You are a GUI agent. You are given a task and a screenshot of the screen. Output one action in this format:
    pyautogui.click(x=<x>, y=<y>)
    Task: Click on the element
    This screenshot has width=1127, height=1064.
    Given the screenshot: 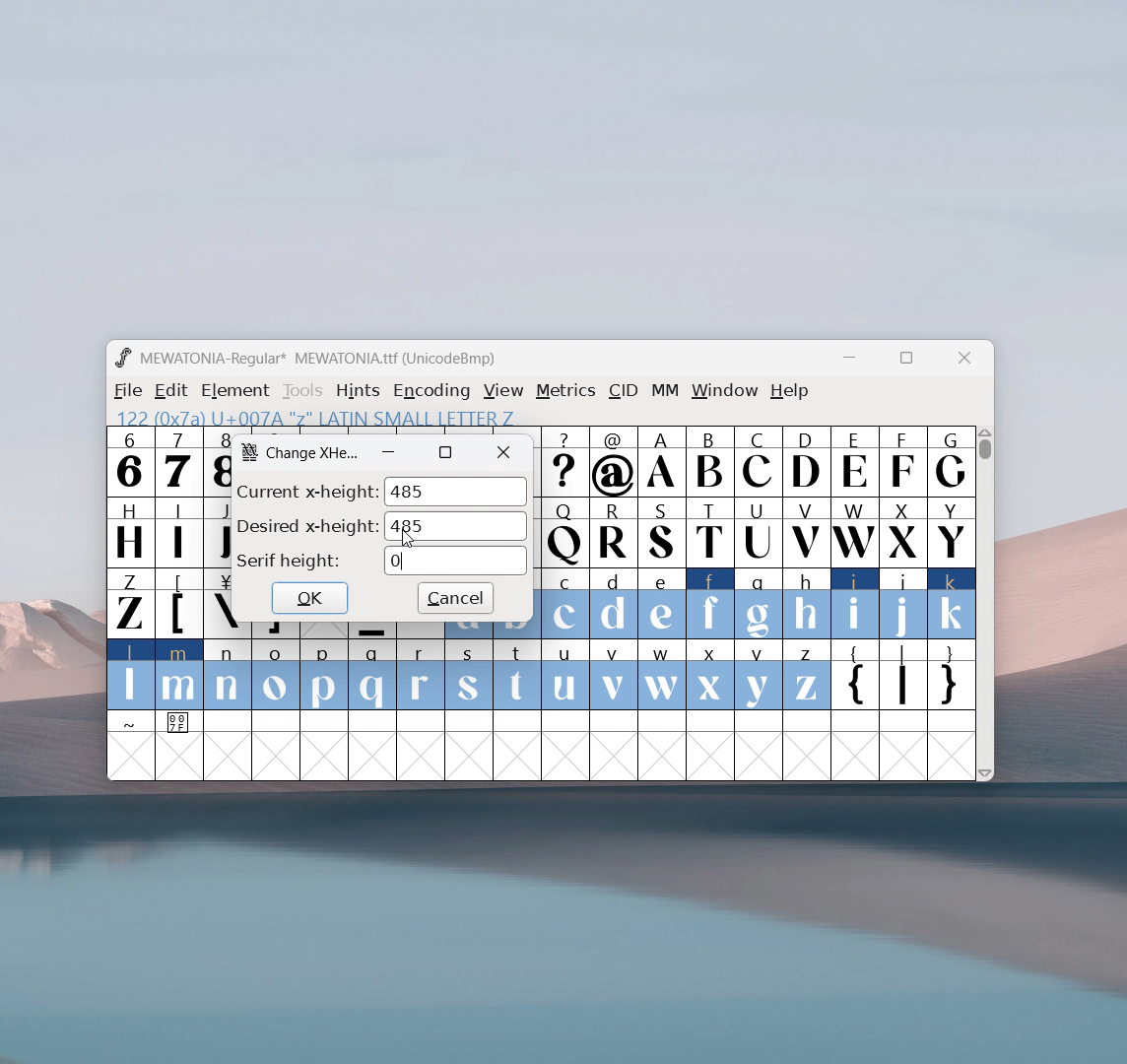 What is the action you would take?
    pyautogui.click(x=235, y=391)
    